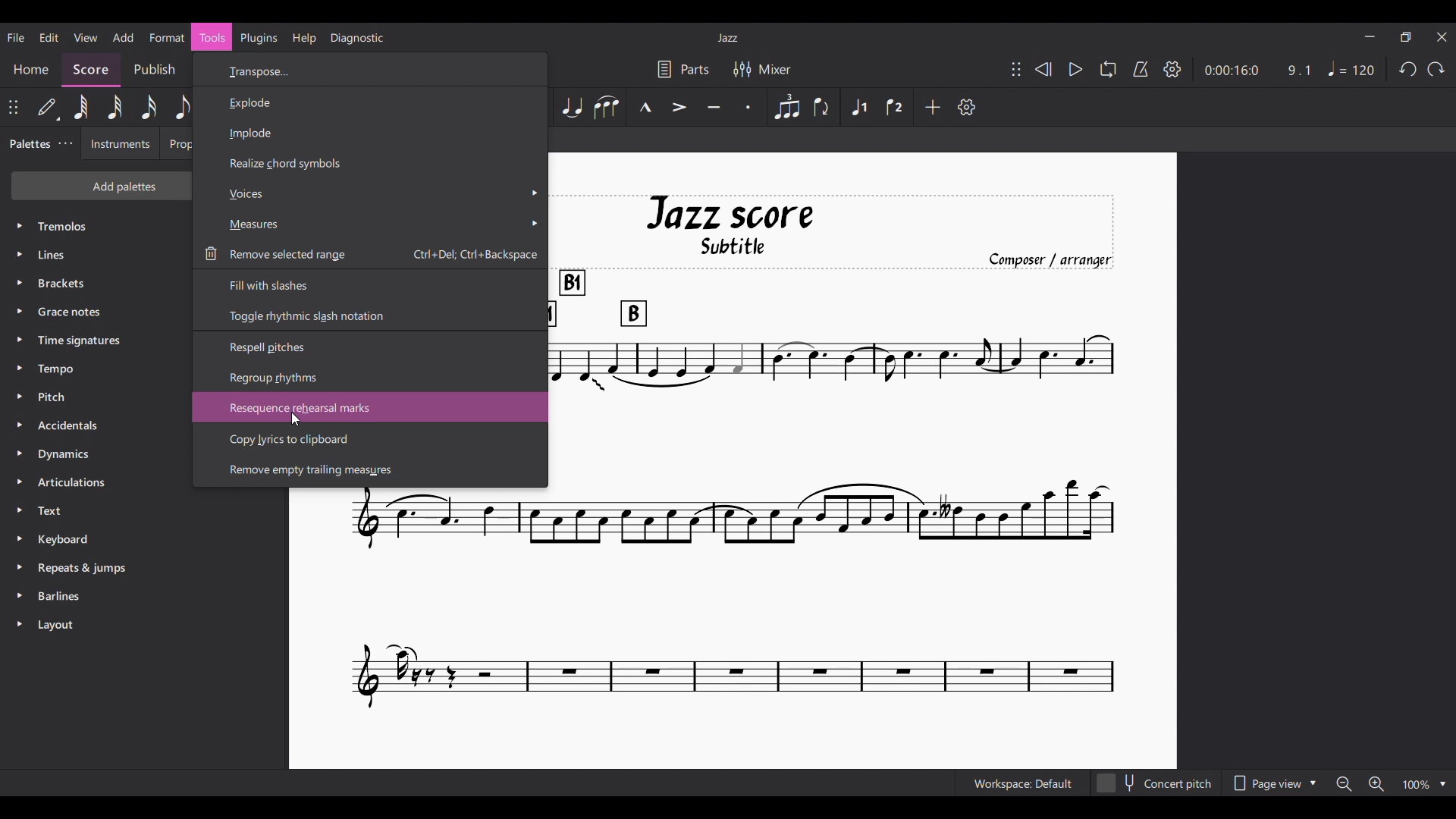 Image resolution: width=1456 pixels, height=819 pixels. Describe the element at coordinates (96, 425) in the screenshot. I see `Accidentals` at that location.